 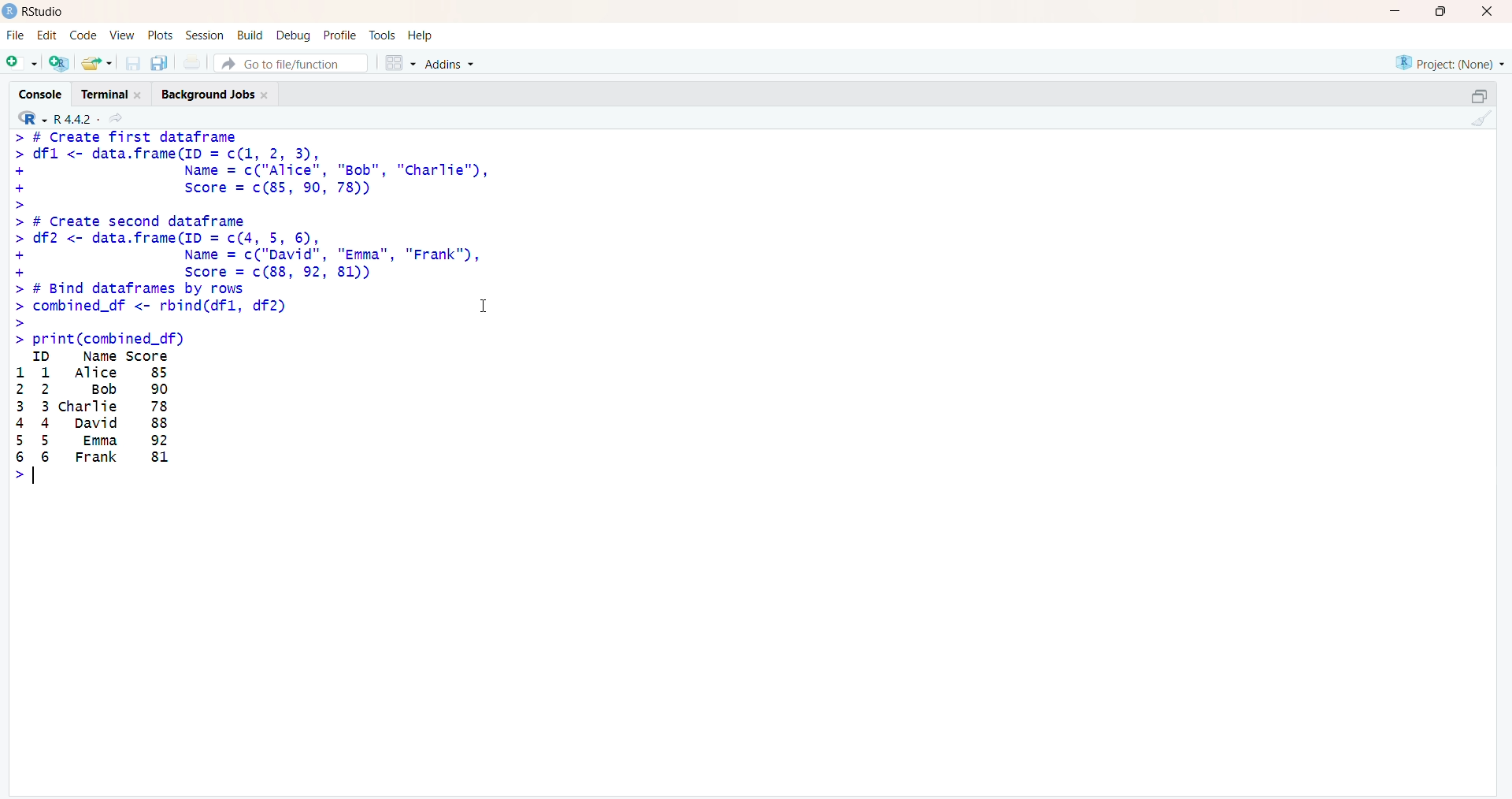 I want to click on new file, so click(x=23, y=64).